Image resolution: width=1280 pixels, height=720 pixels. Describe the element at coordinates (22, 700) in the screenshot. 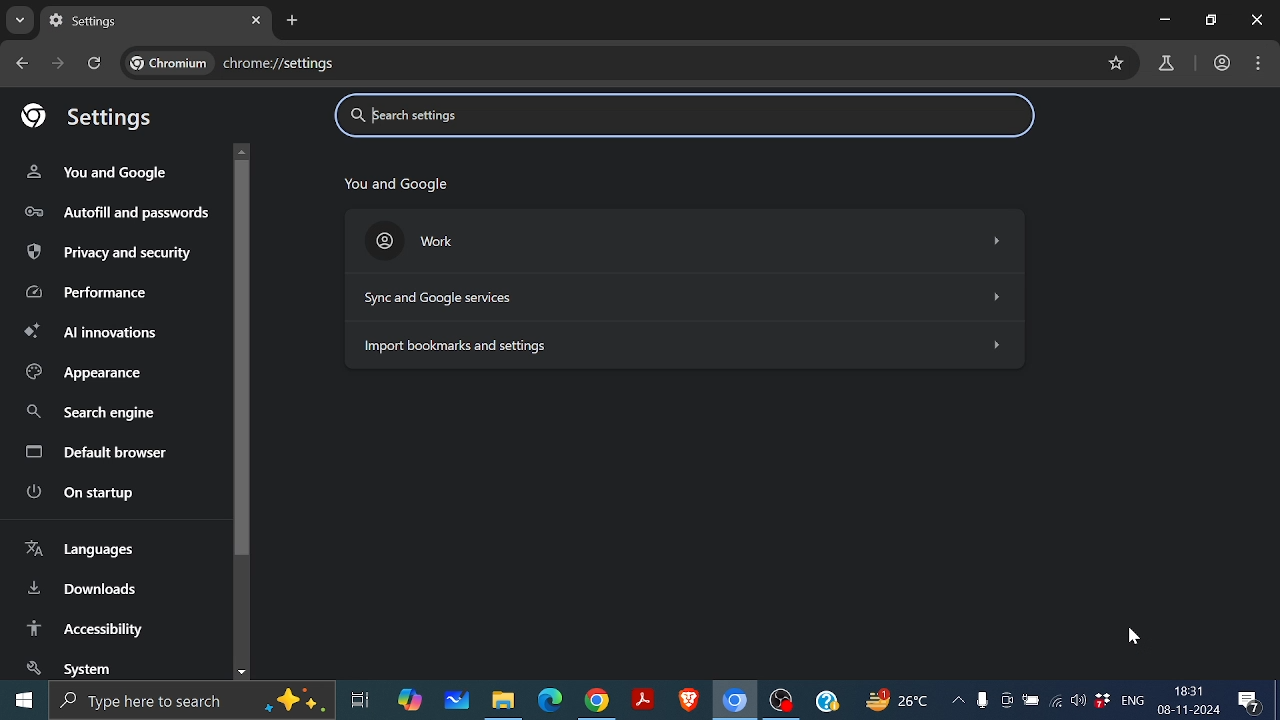

I see `windows menu` at that location.